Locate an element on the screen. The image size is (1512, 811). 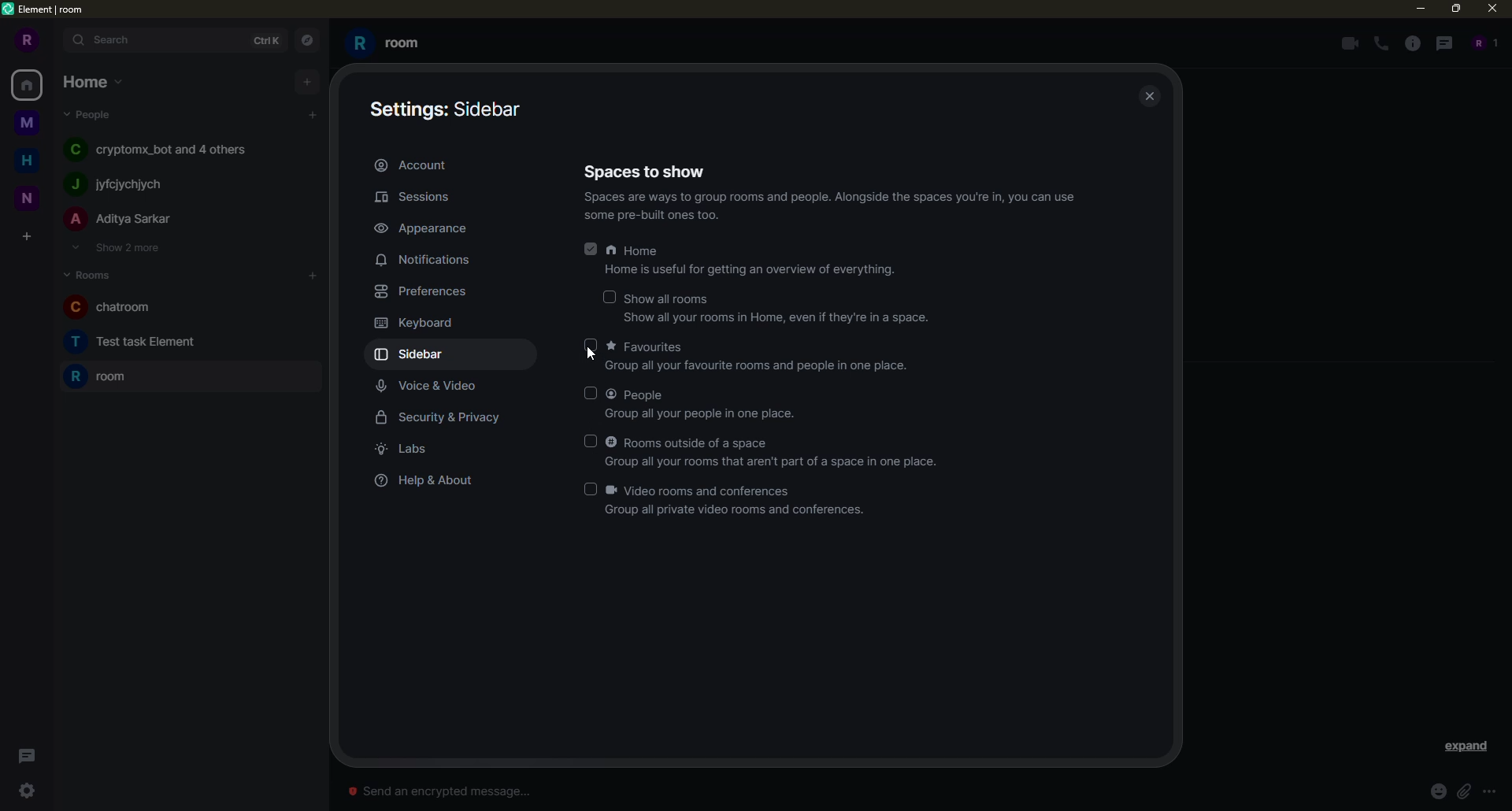
people is located at coordinates (639, 395).